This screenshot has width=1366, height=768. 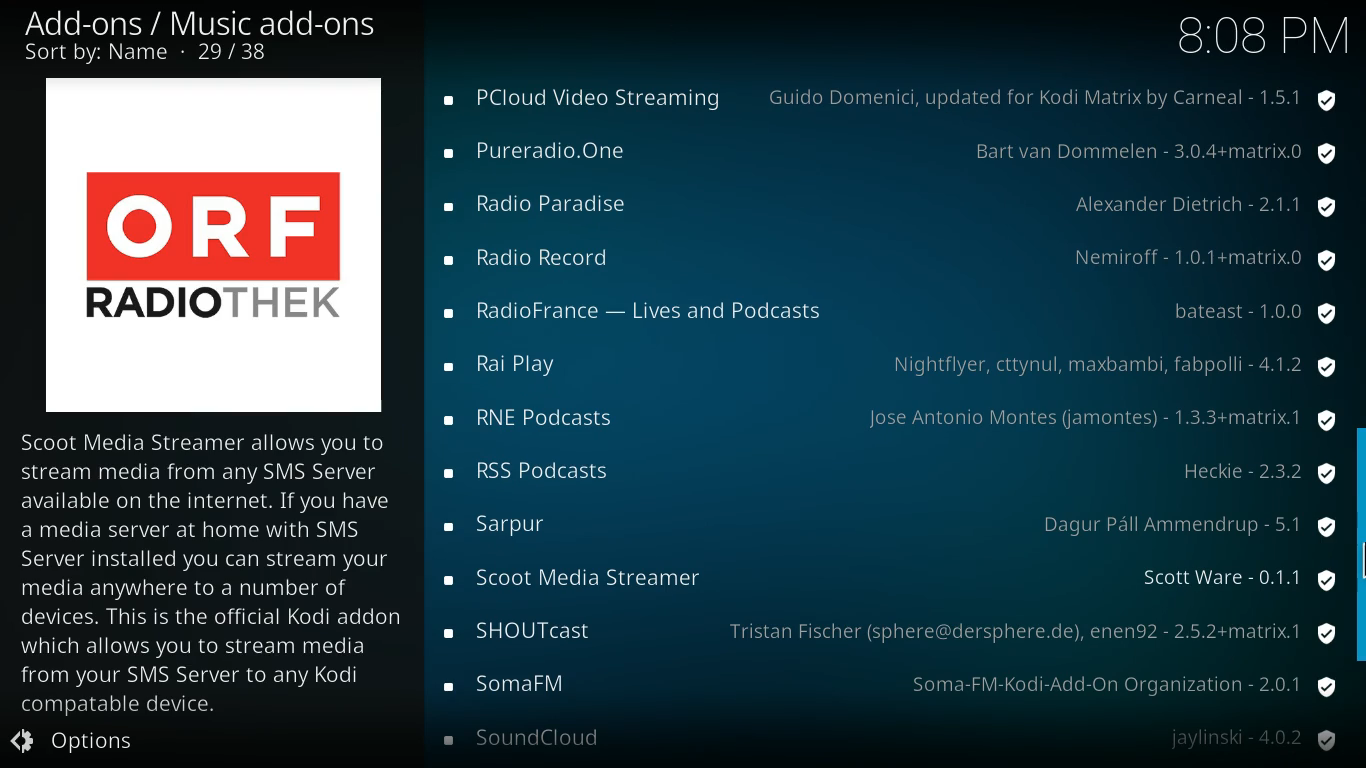 I want to click on add-on, so click(x=515, y=682).